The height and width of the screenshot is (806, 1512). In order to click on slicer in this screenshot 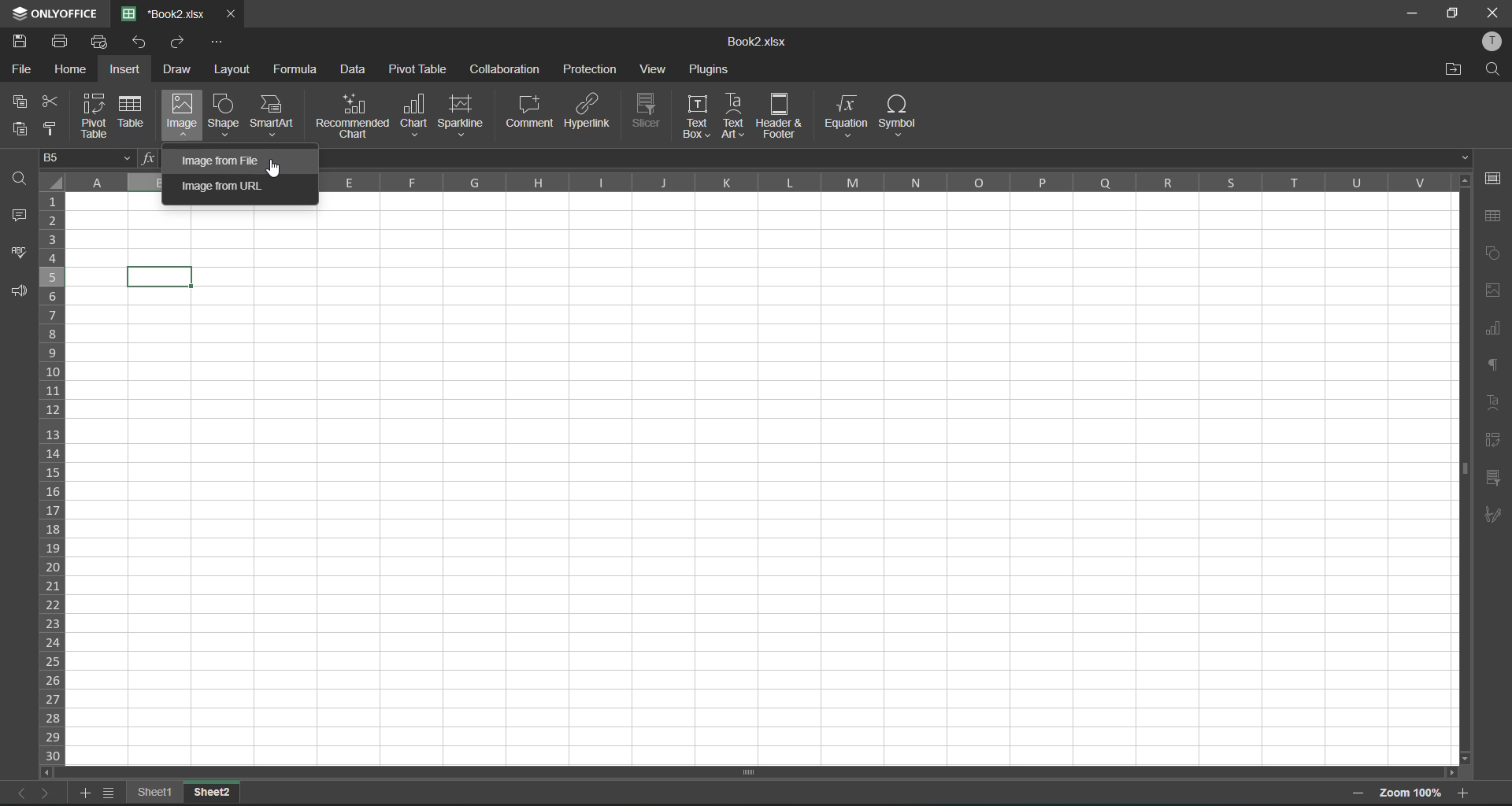, I will do `click(648, 109)`.